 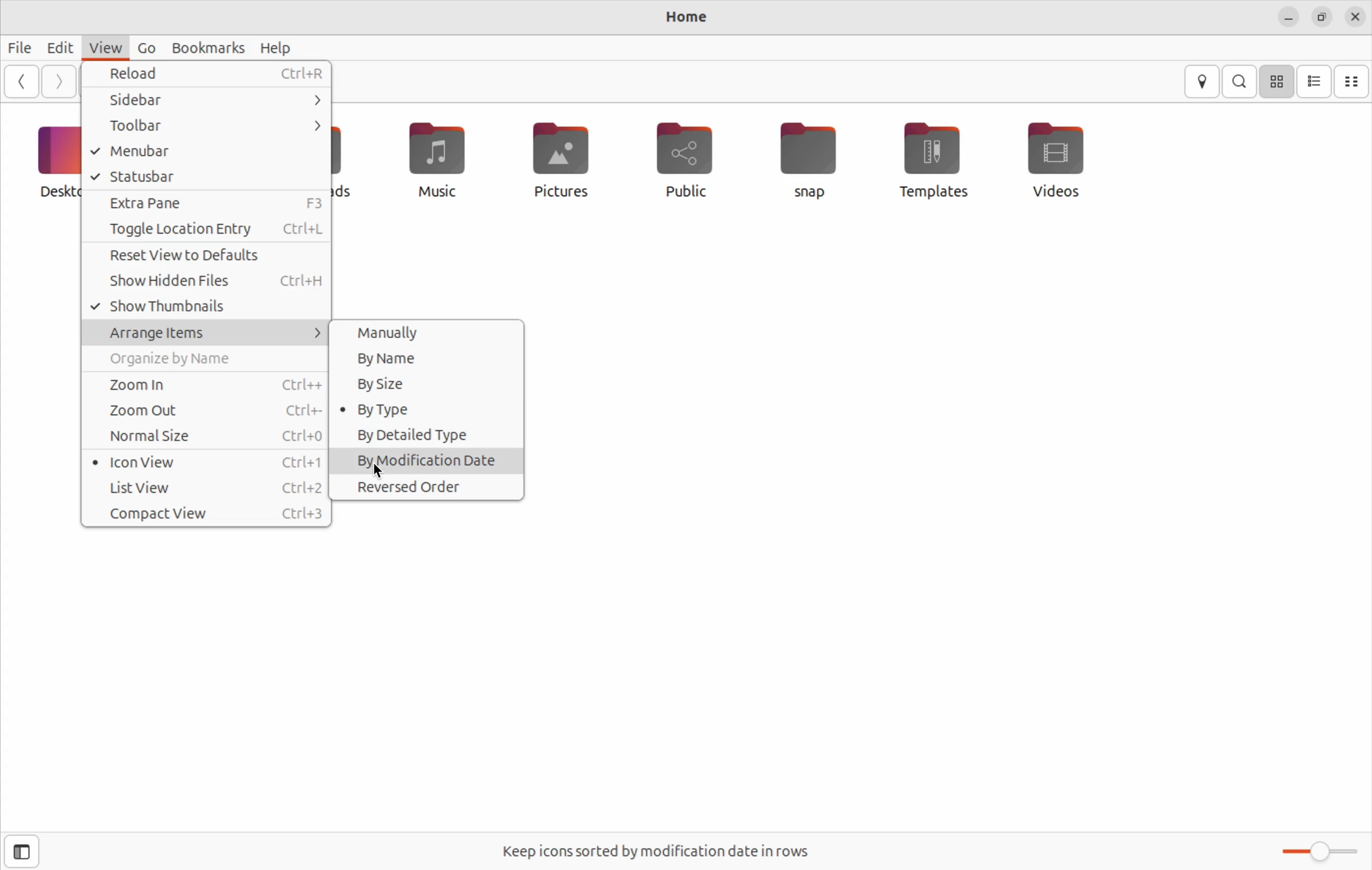 What do you see at coordinates (1060, 158) in the screenshot?
I see `video files` at bounding box center [1060, 158].